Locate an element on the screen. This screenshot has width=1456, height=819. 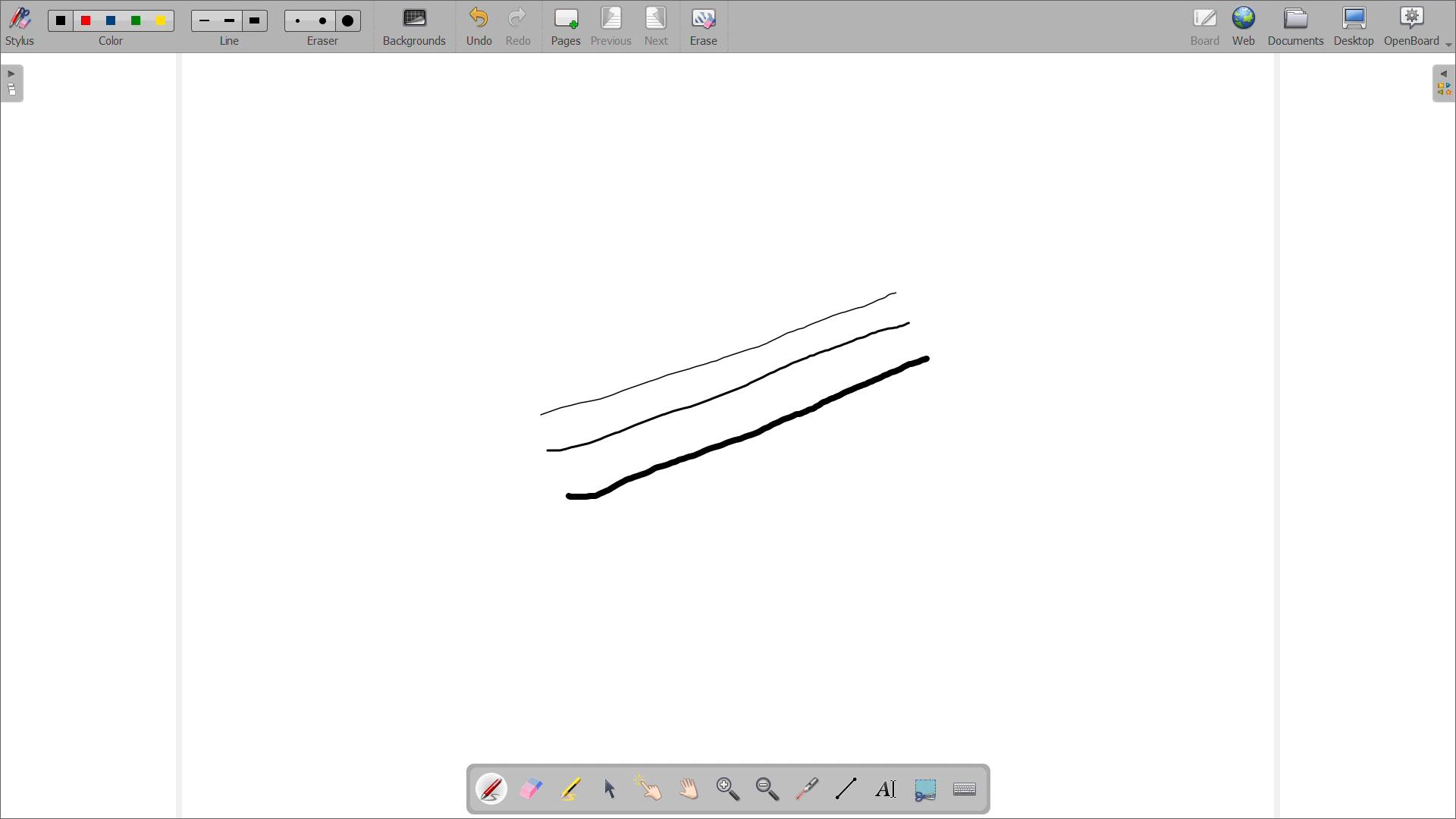
erase is located at coordinates (704, 27).